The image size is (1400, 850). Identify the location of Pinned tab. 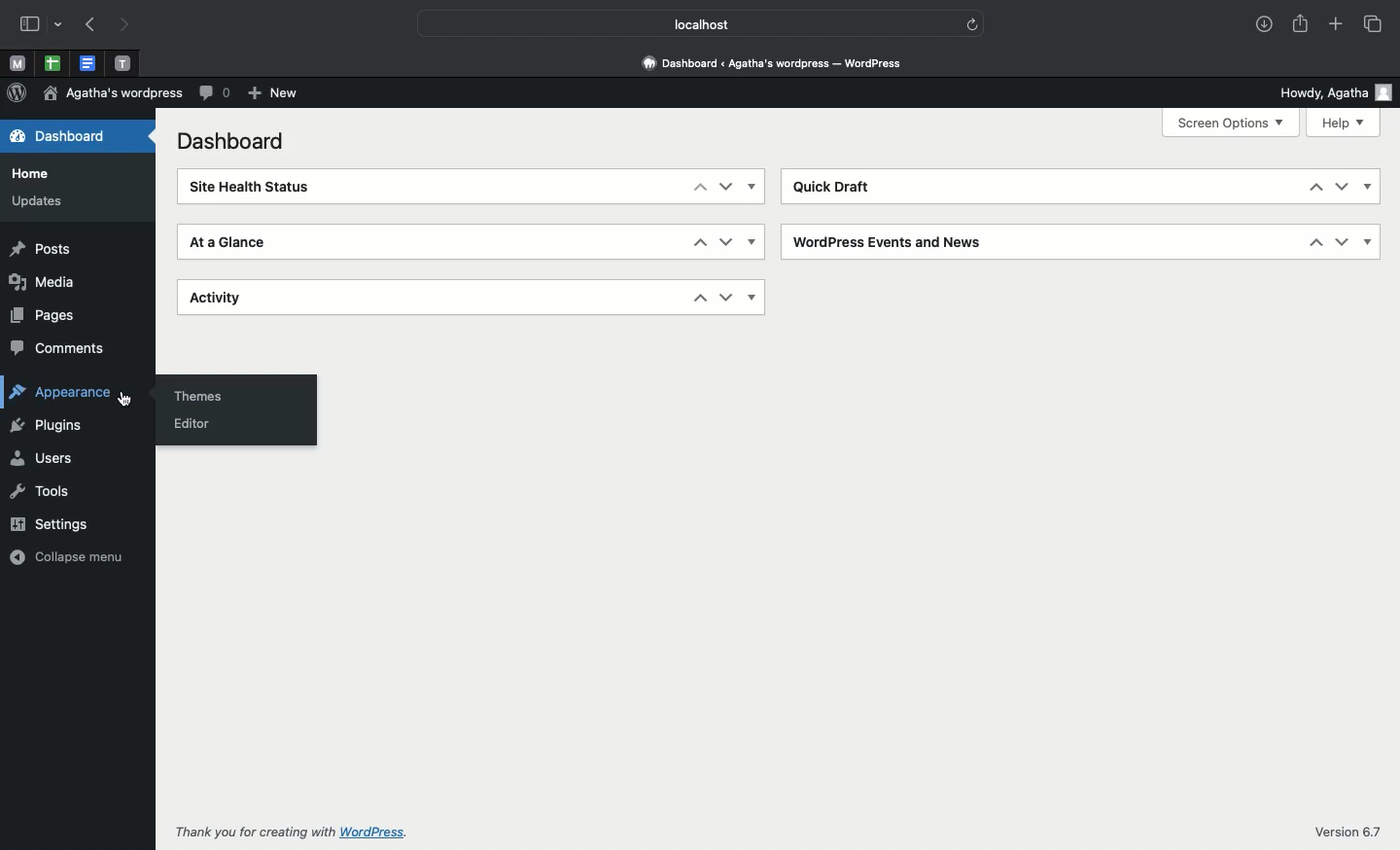
(17, 64).